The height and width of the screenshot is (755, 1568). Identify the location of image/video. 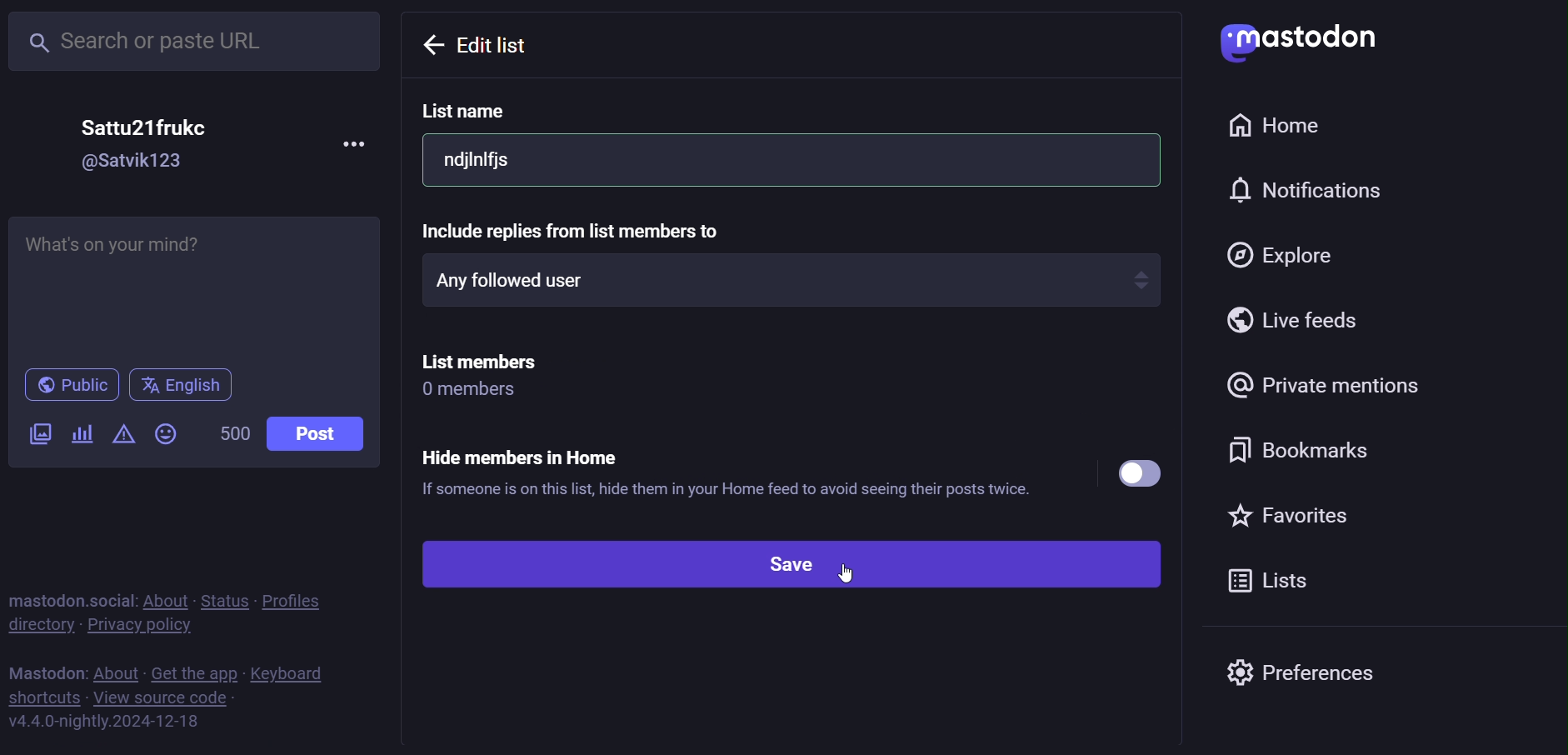
(34, 435).